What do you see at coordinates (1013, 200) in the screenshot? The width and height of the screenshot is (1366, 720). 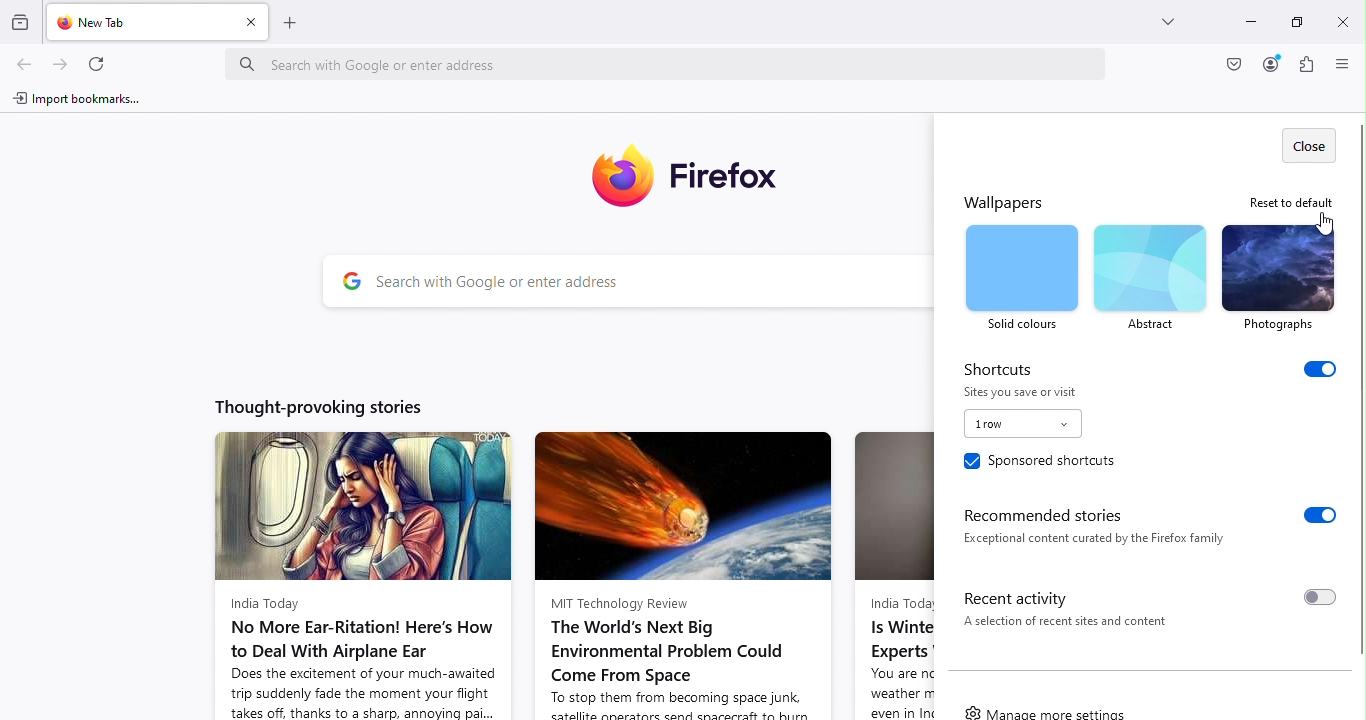 I see `Wallpapers` at bounding box center [1013, 200].